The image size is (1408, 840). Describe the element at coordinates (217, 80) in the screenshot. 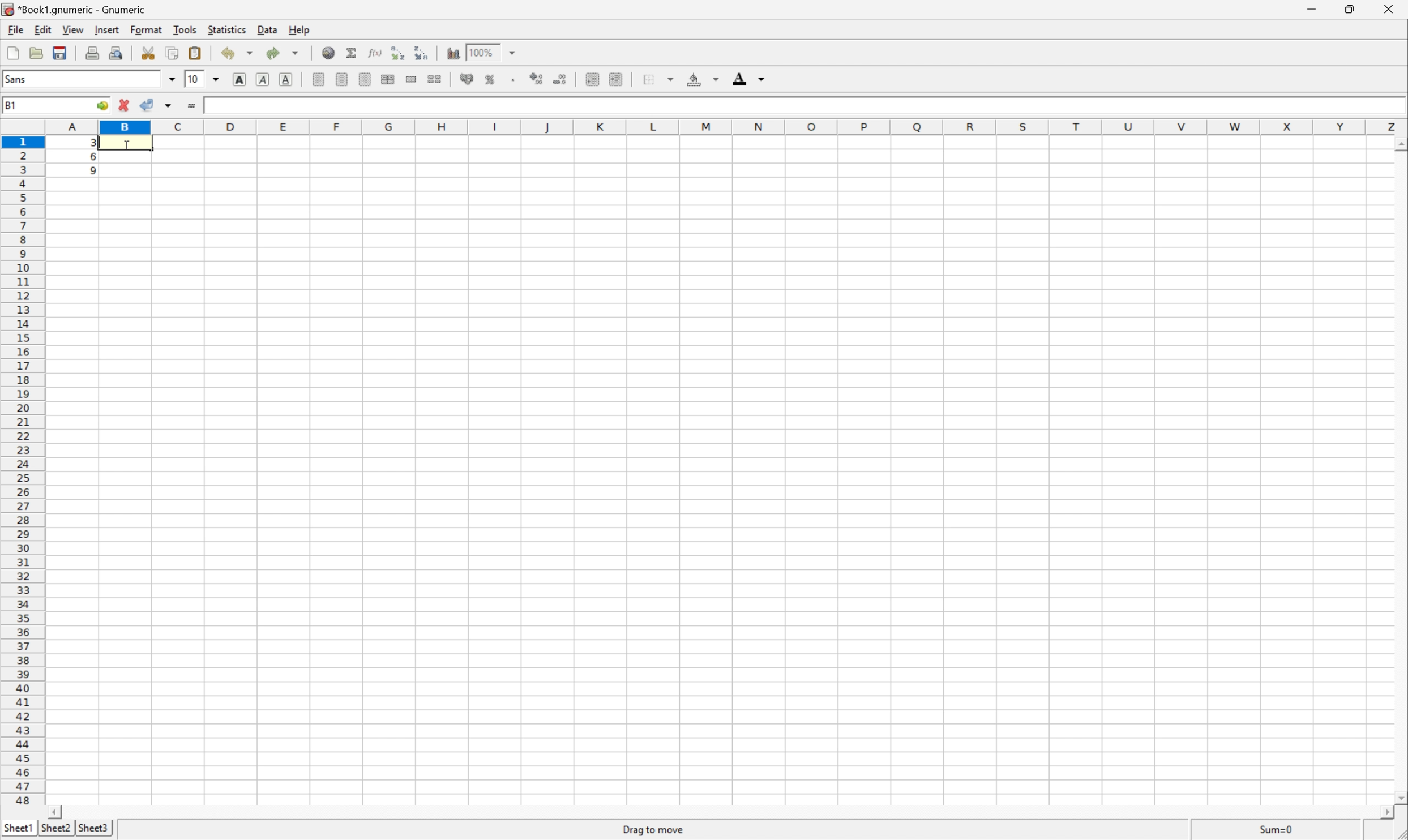

I see `Drop Down` at that location.